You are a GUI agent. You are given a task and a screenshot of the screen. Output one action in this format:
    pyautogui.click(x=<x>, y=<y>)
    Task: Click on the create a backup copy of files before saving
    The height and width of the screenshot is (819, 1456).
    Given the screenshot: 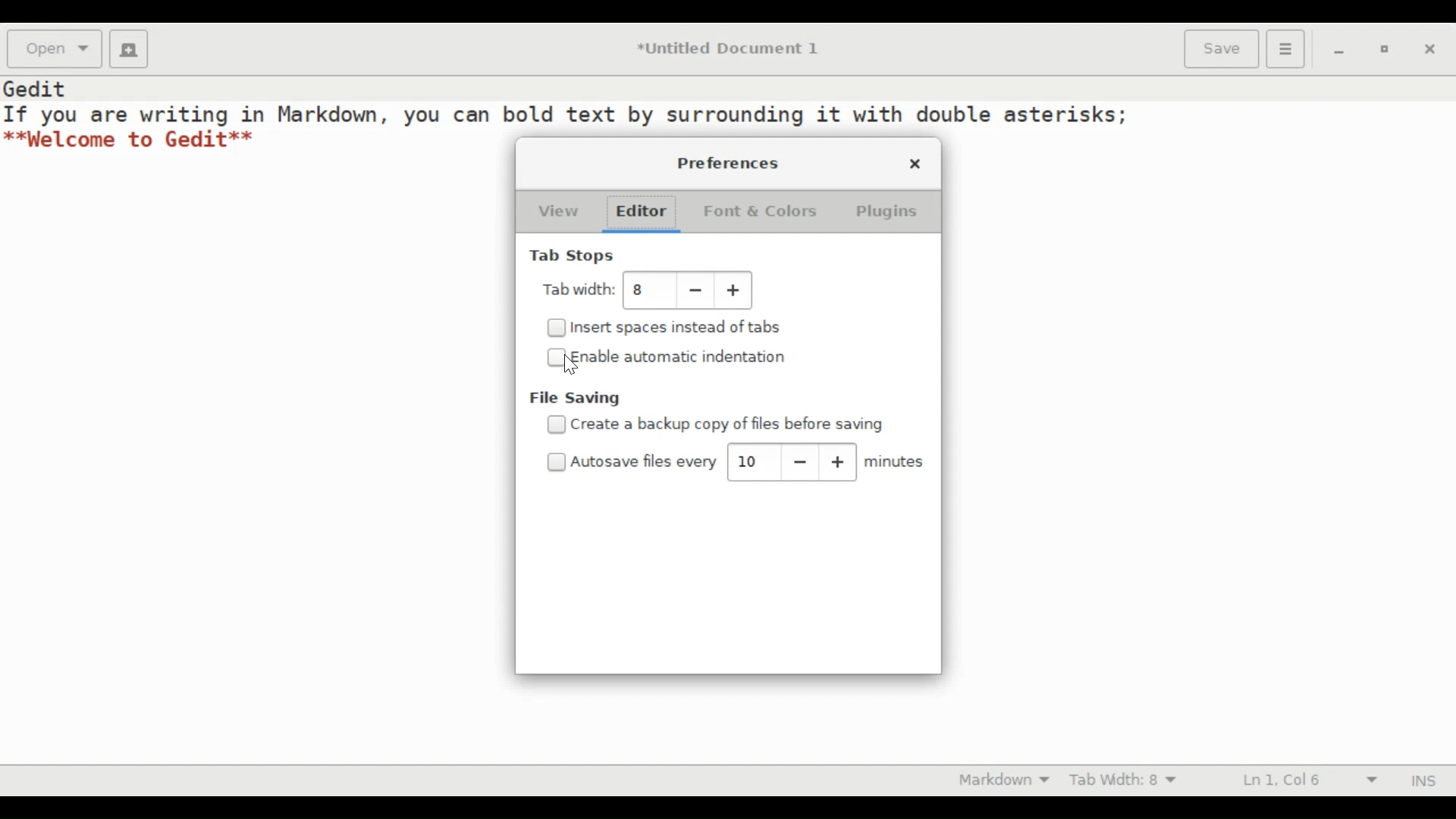 What is the action you would take?
    pyautogui.click(x=736, y=425)
    